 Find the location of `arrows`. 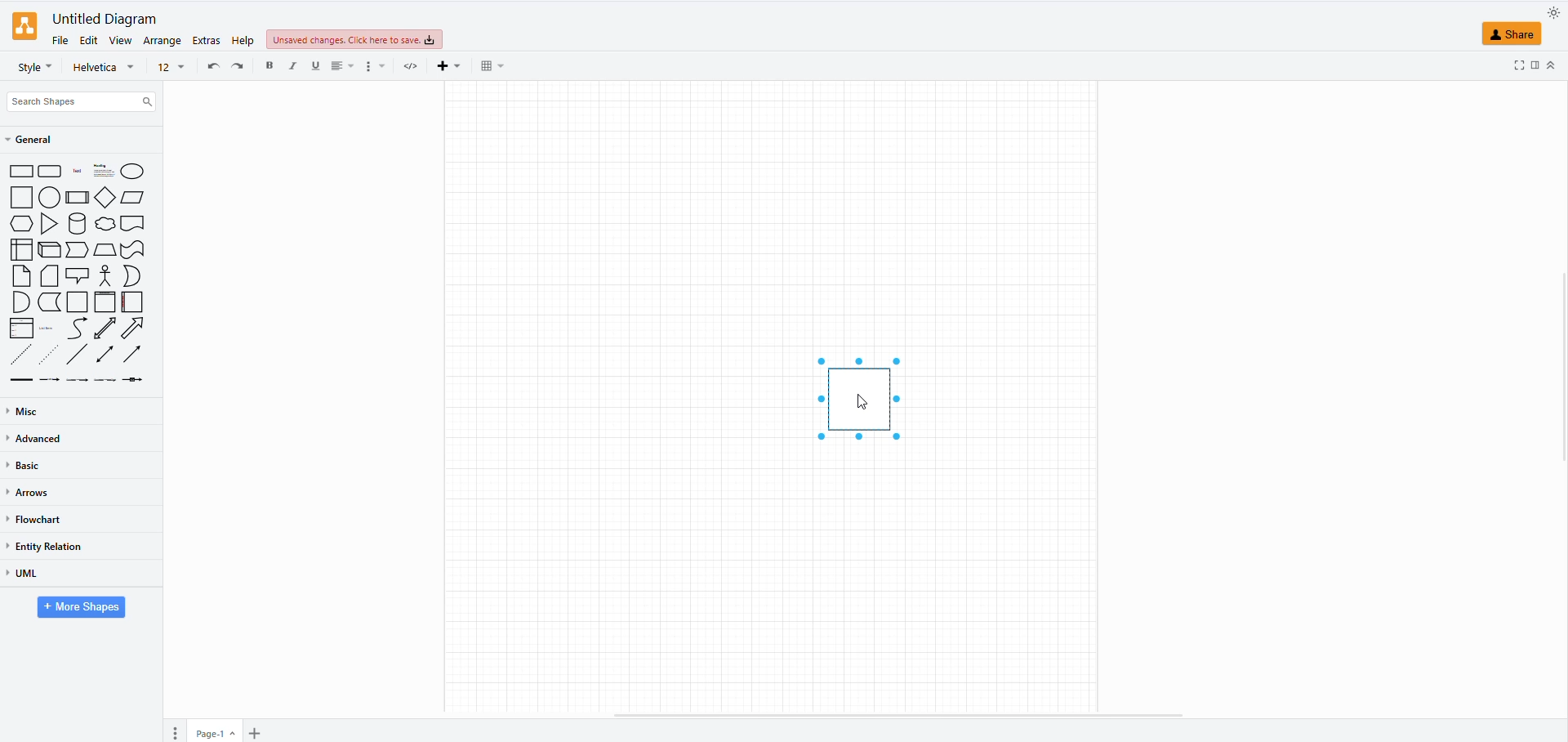

arrows is located at coordinates (29, 494).